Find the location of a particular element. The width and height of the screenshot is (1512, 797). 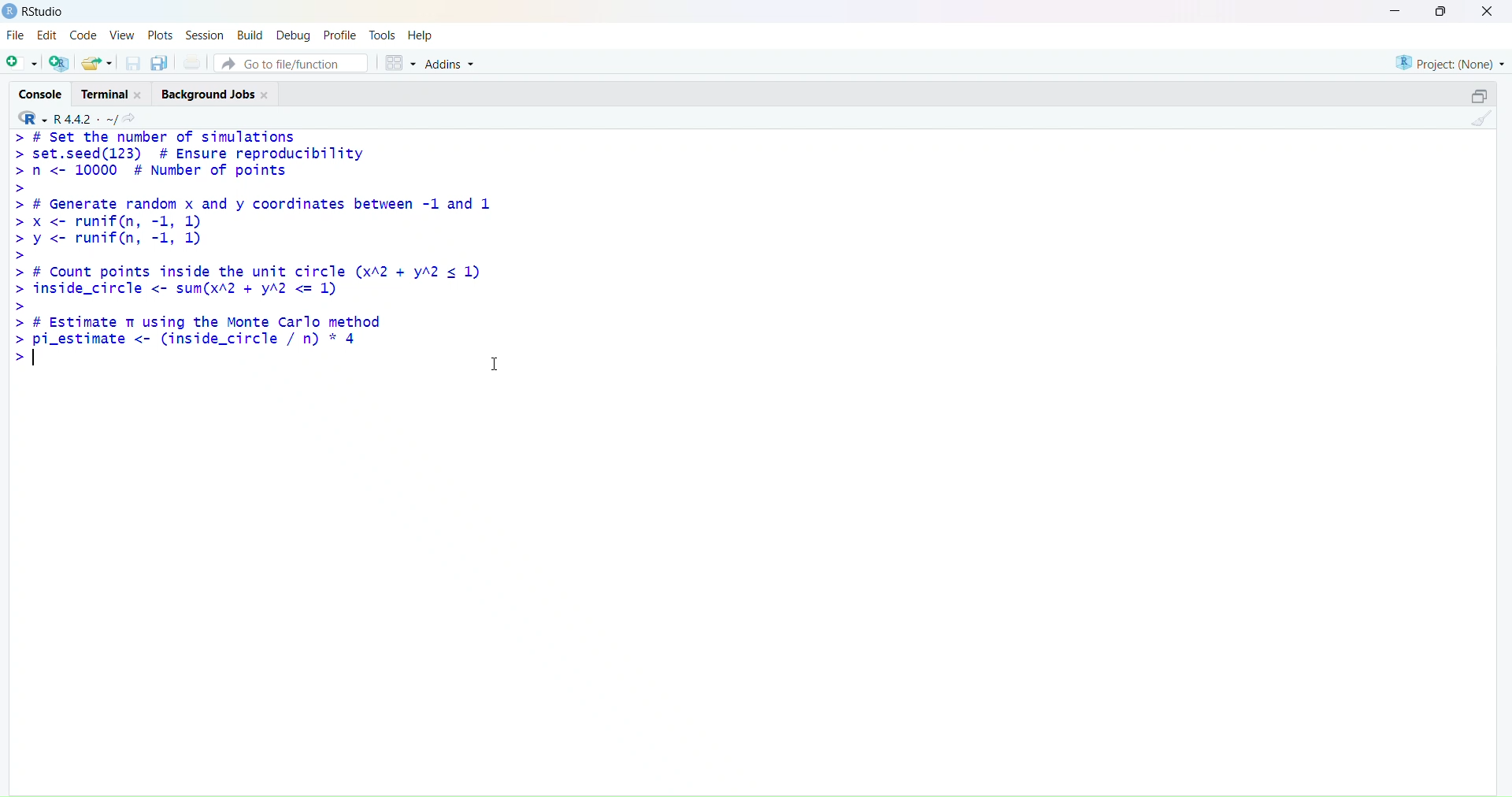

Console is located at coordinates (41, 94).